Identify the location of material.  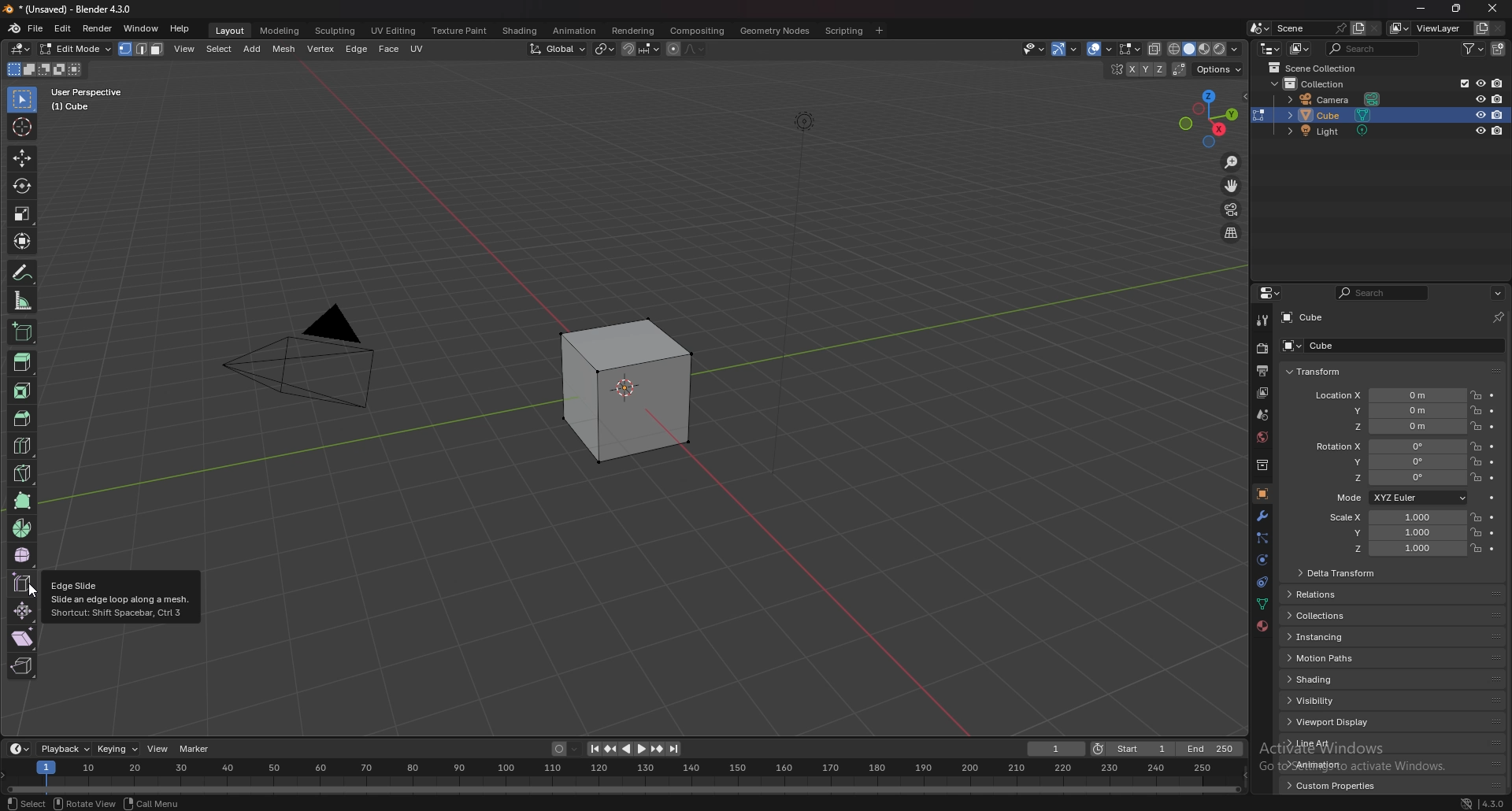
(1264, 624).